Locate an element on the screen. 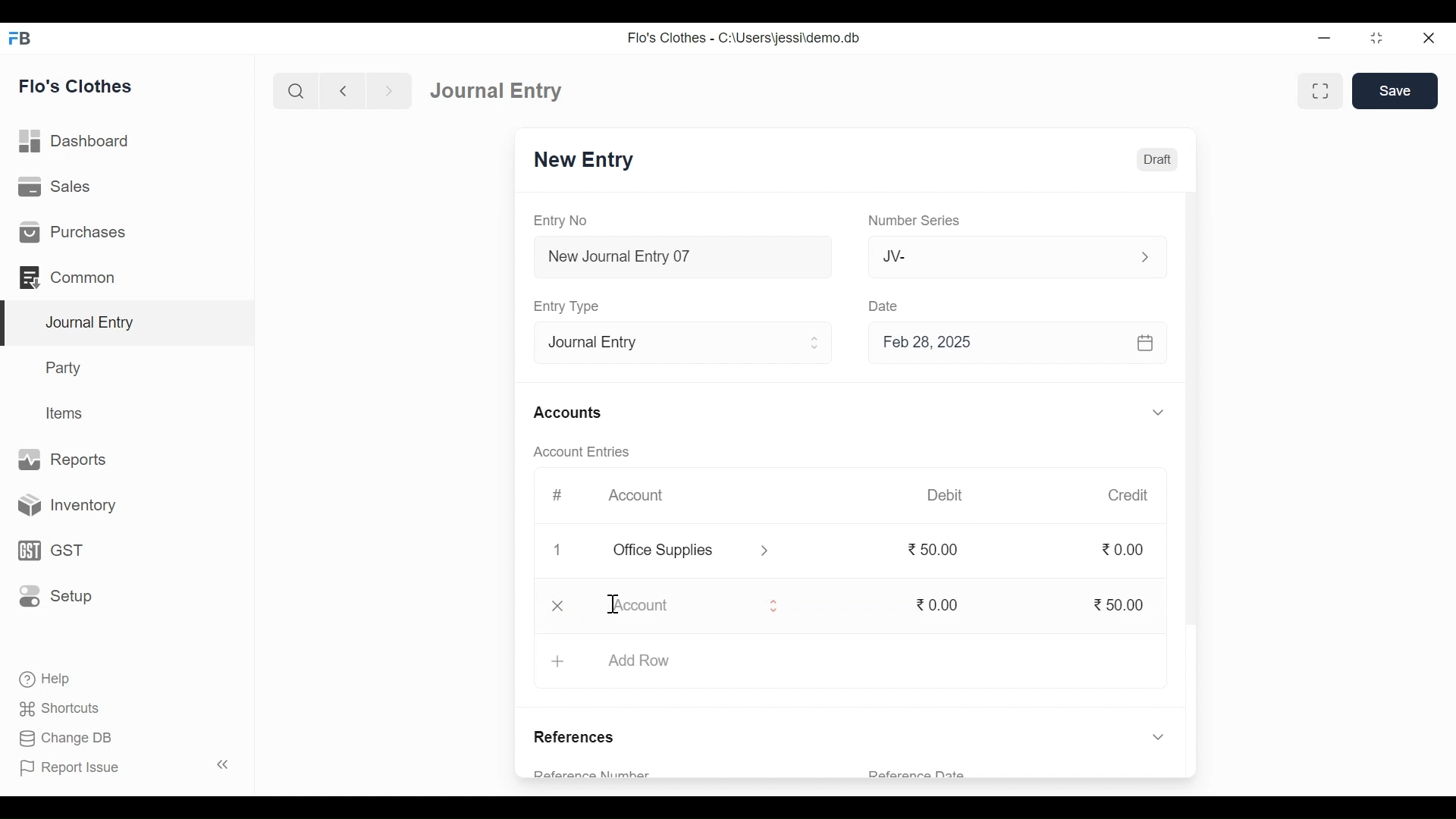 The height and width of the screenshot is (819, 1456). # is located at coordinates (558, 494).